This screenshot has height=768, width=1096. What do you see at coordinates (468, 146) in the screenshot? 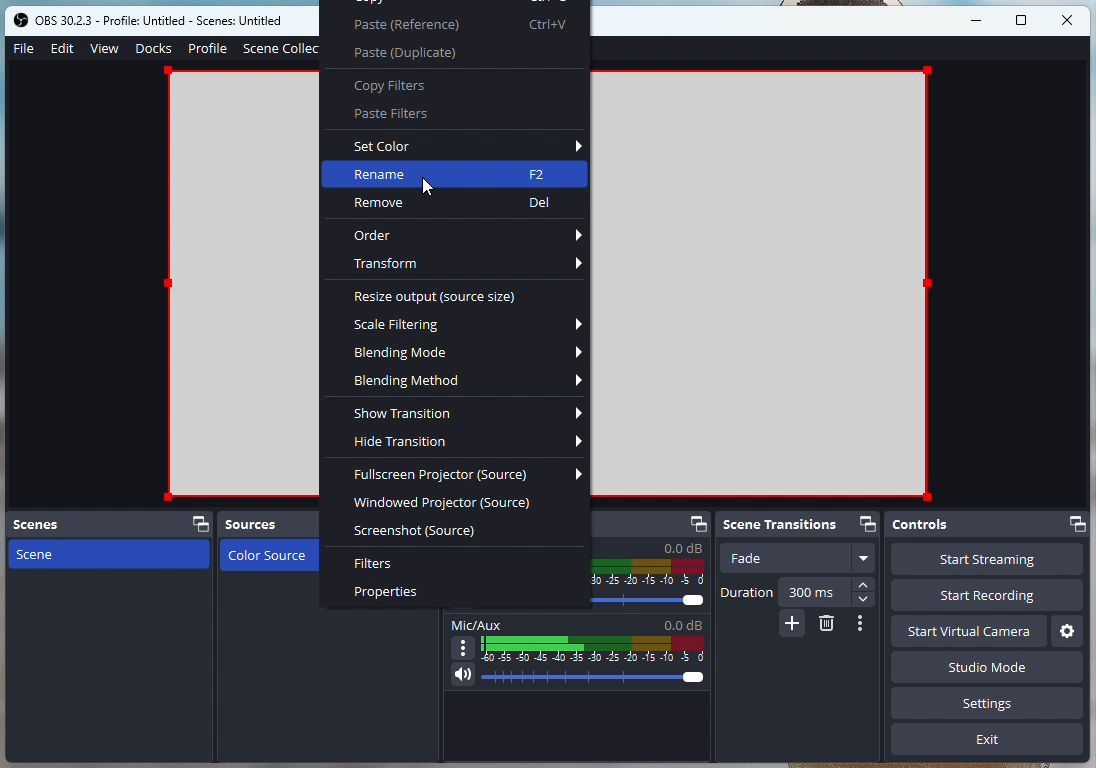
I see `Set Color` at bounding box center [468, 146].